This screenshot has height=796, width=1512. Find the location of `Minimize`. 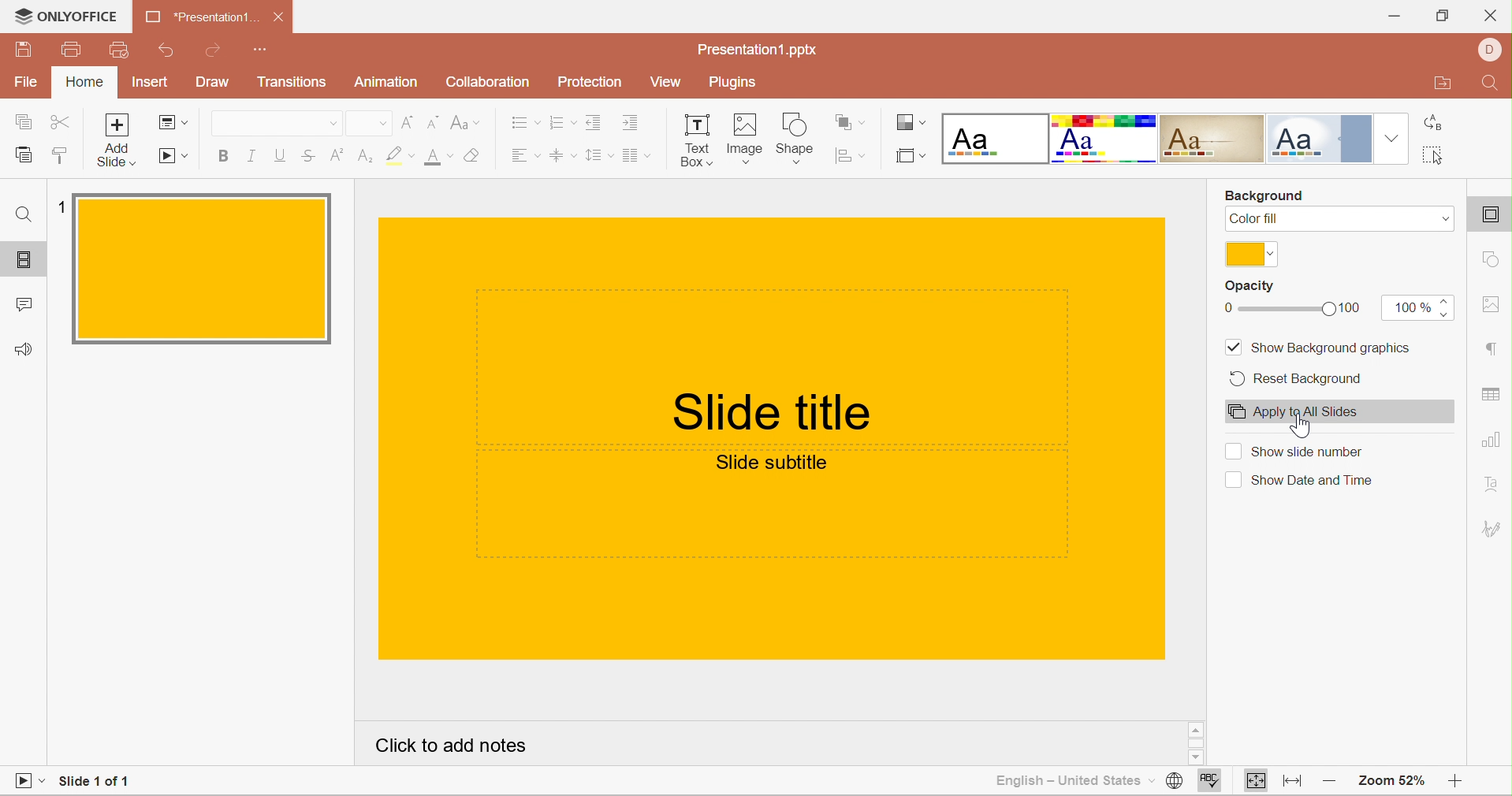

Minimize is located at coordinates (1394, 17).